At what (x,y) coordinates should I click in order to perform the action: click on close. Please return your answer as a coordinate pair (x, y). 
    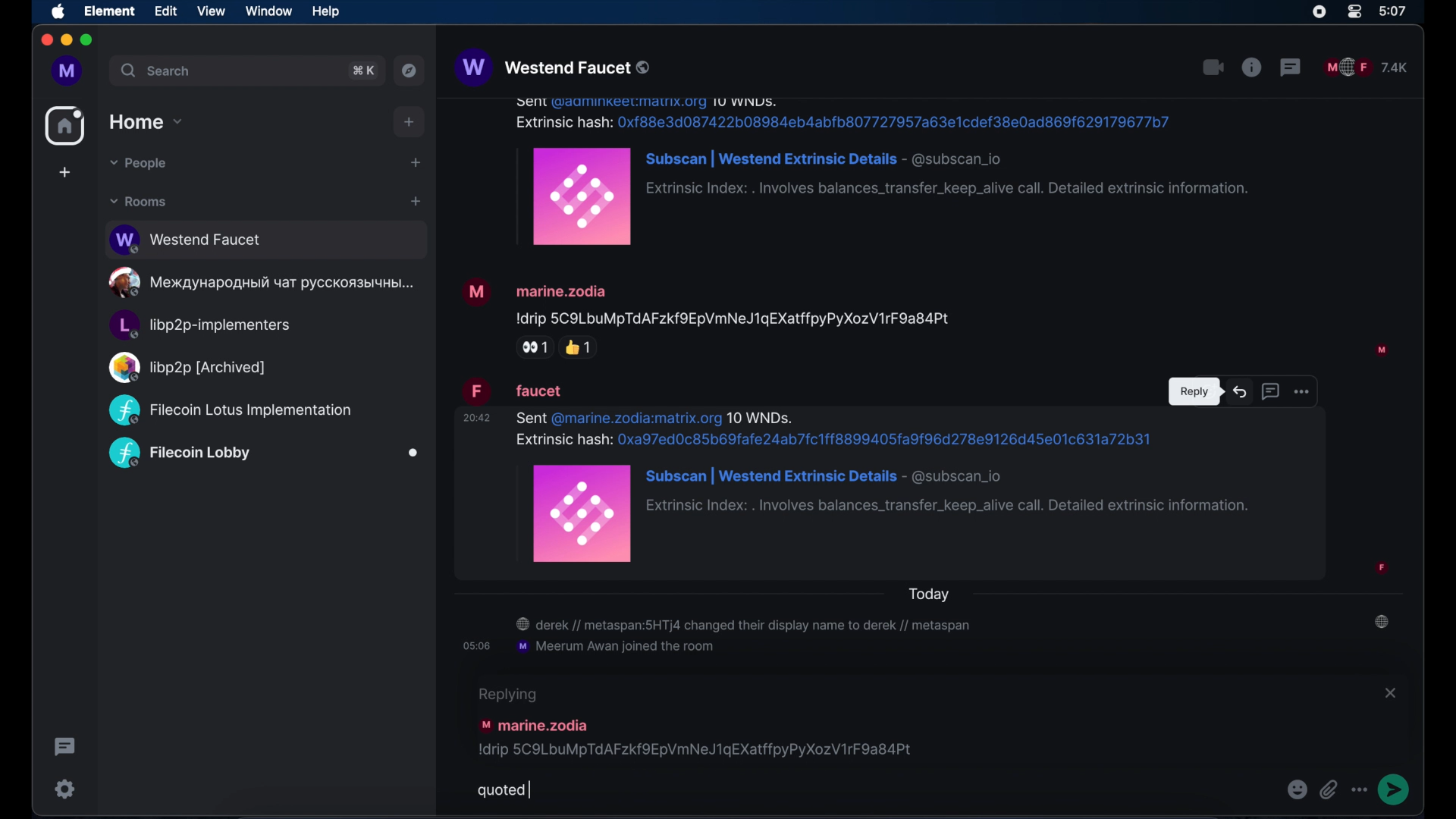
    Looking at the image, I should click on (45, 40).